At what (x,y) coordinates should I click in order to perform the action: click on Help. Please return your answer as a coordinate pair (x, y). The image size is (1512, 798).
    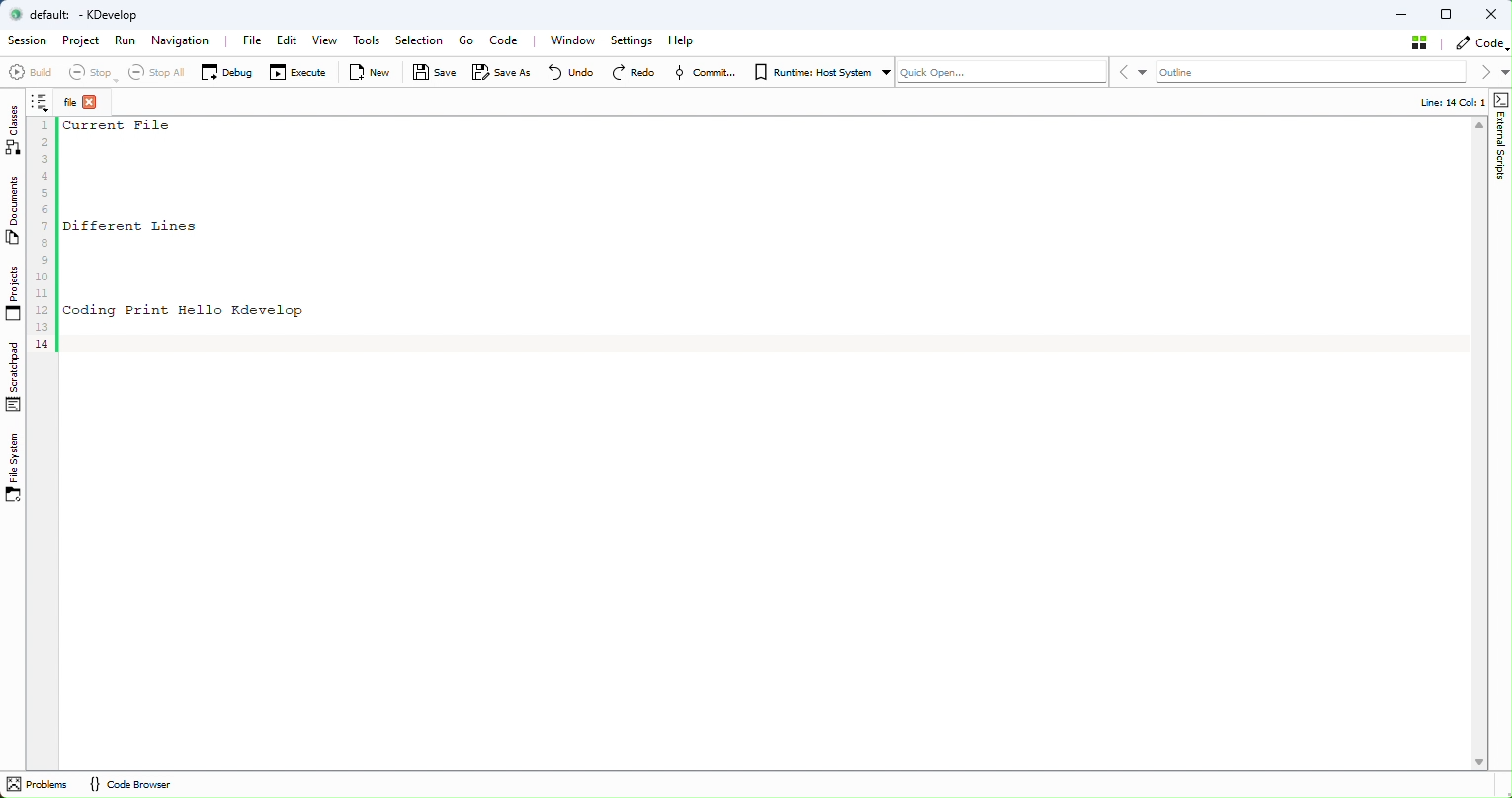
    Looking at the image, I should click on (683, 40).